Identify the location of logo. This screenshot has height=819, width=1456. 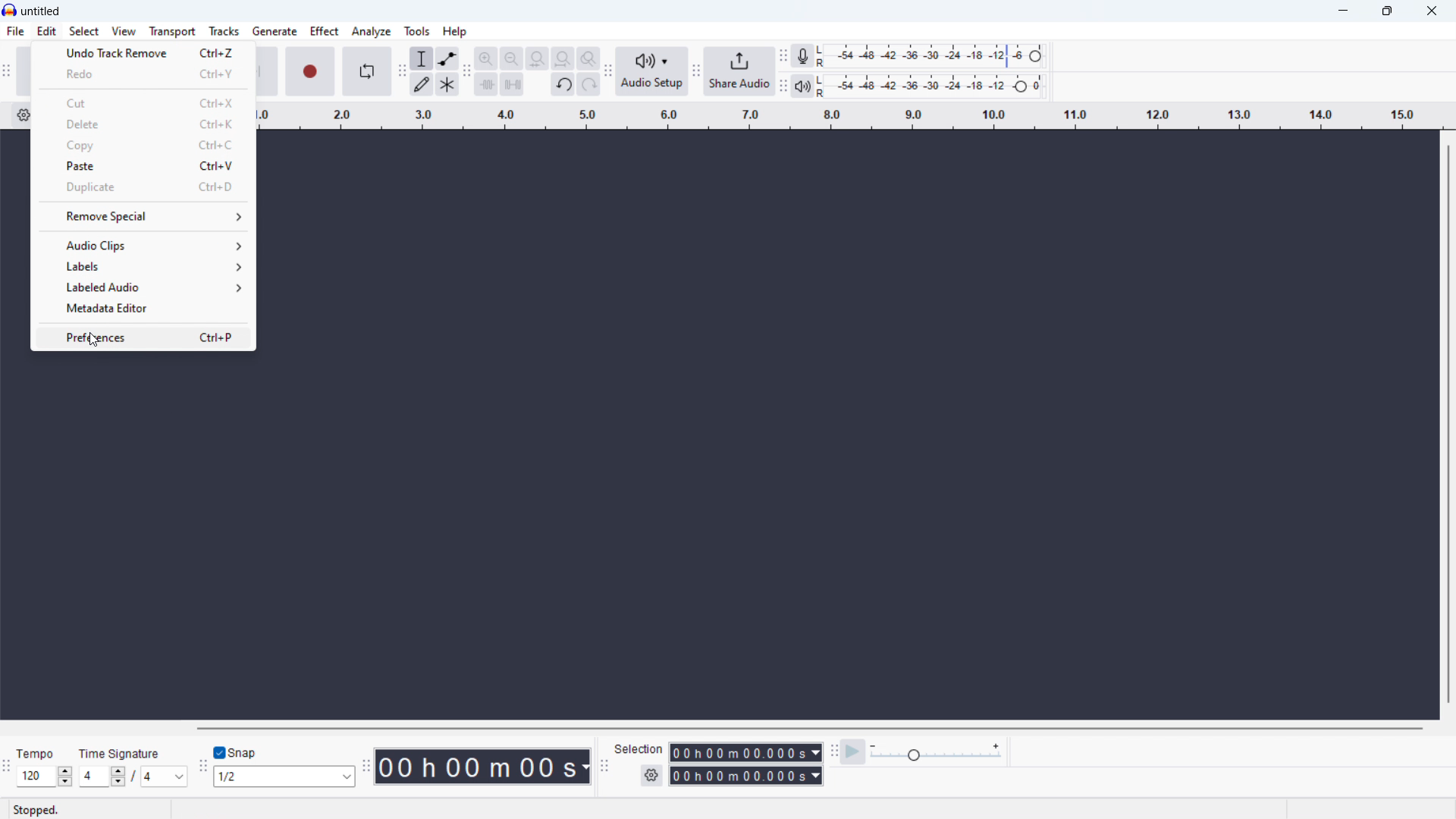
(10, 10).